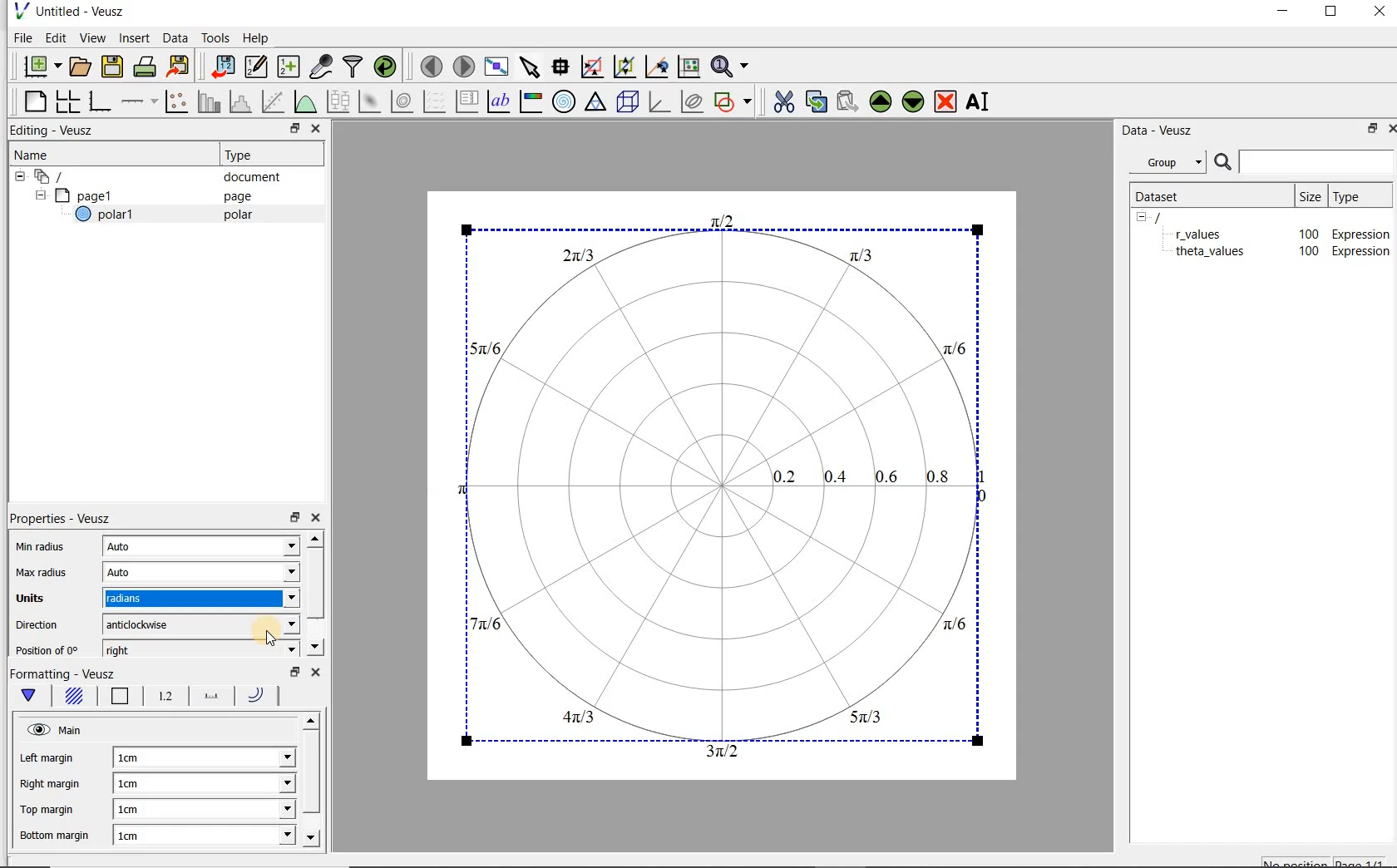  What do you see at coordinates (388, 67) in the screenshot?
I see `reload linked datasets` at bounding box center [388, 67].